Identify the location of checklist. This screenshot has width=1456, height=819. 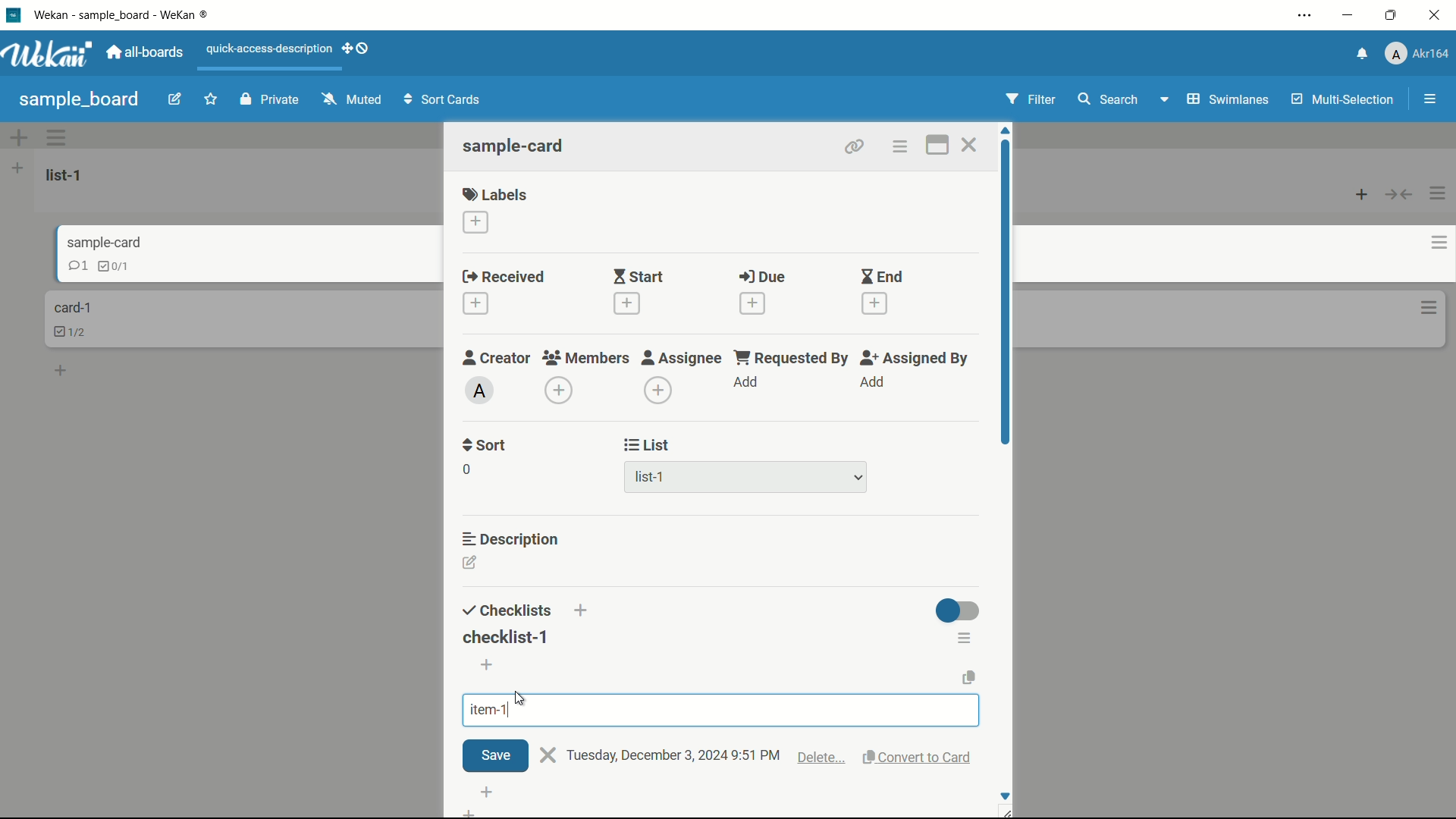
(74, 331).